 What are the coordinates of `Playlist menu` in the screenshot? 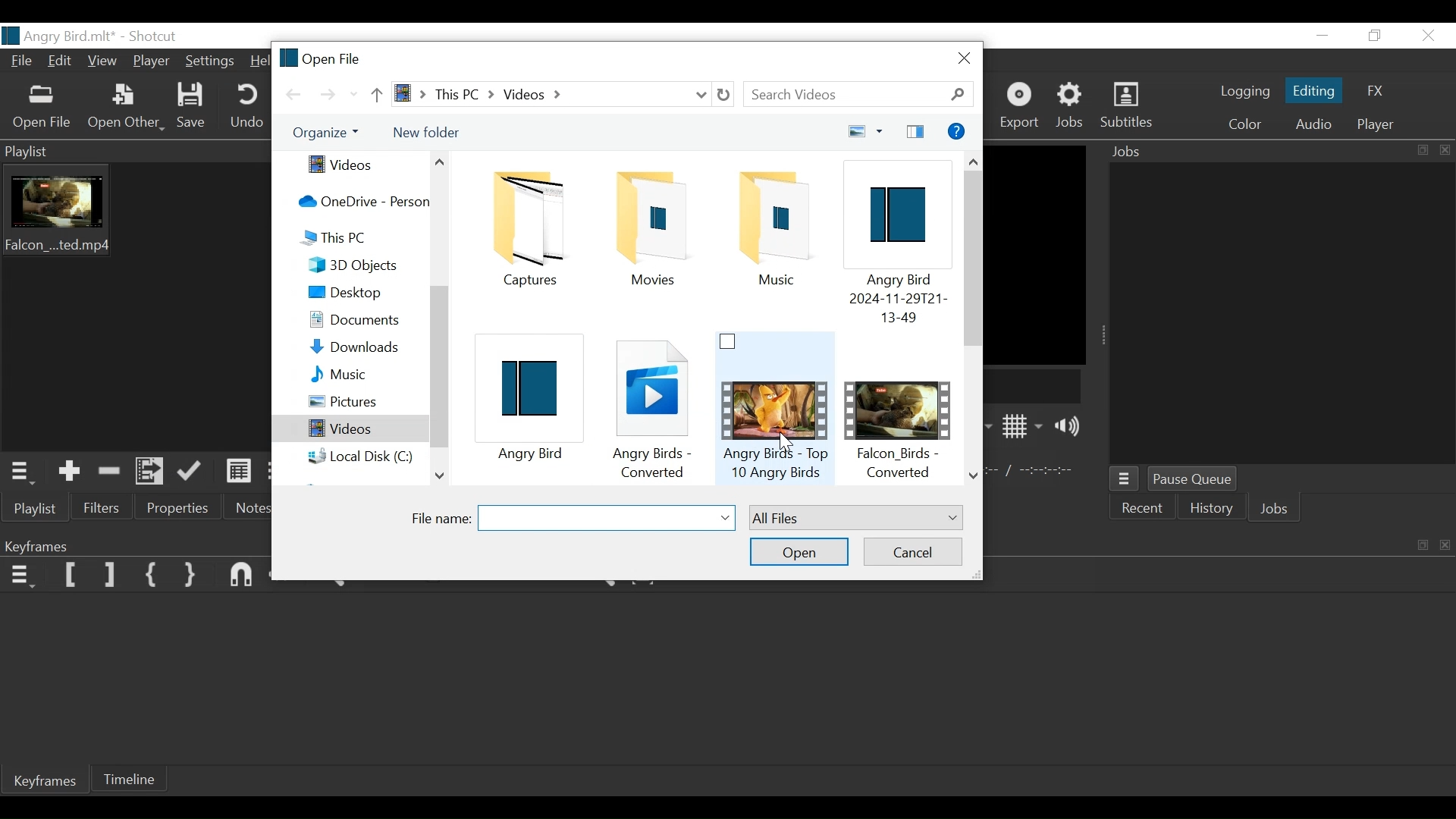 It's located at (86, 153).